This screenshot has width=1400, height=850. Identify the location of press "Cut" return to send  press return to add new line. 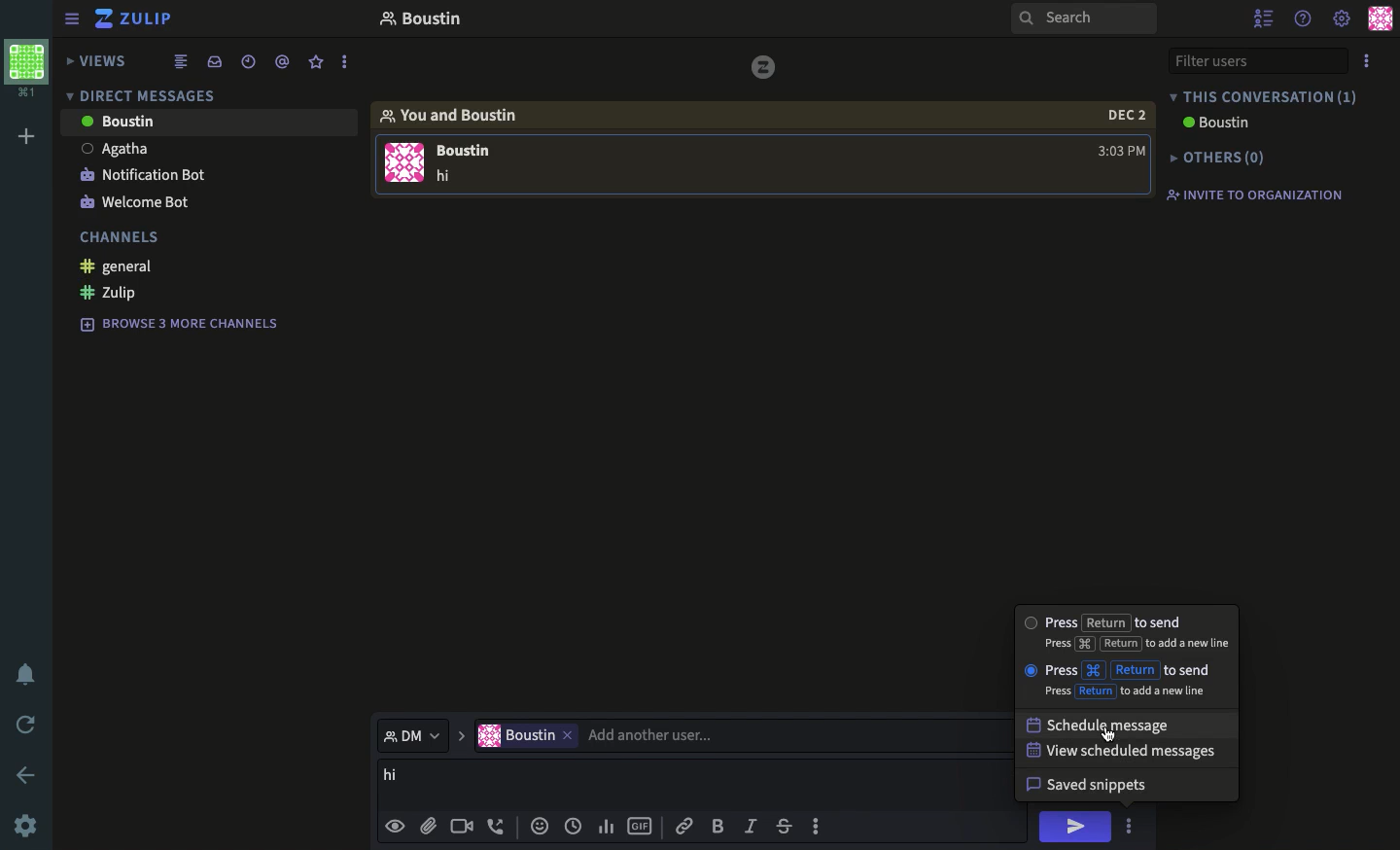
(1120, 678).